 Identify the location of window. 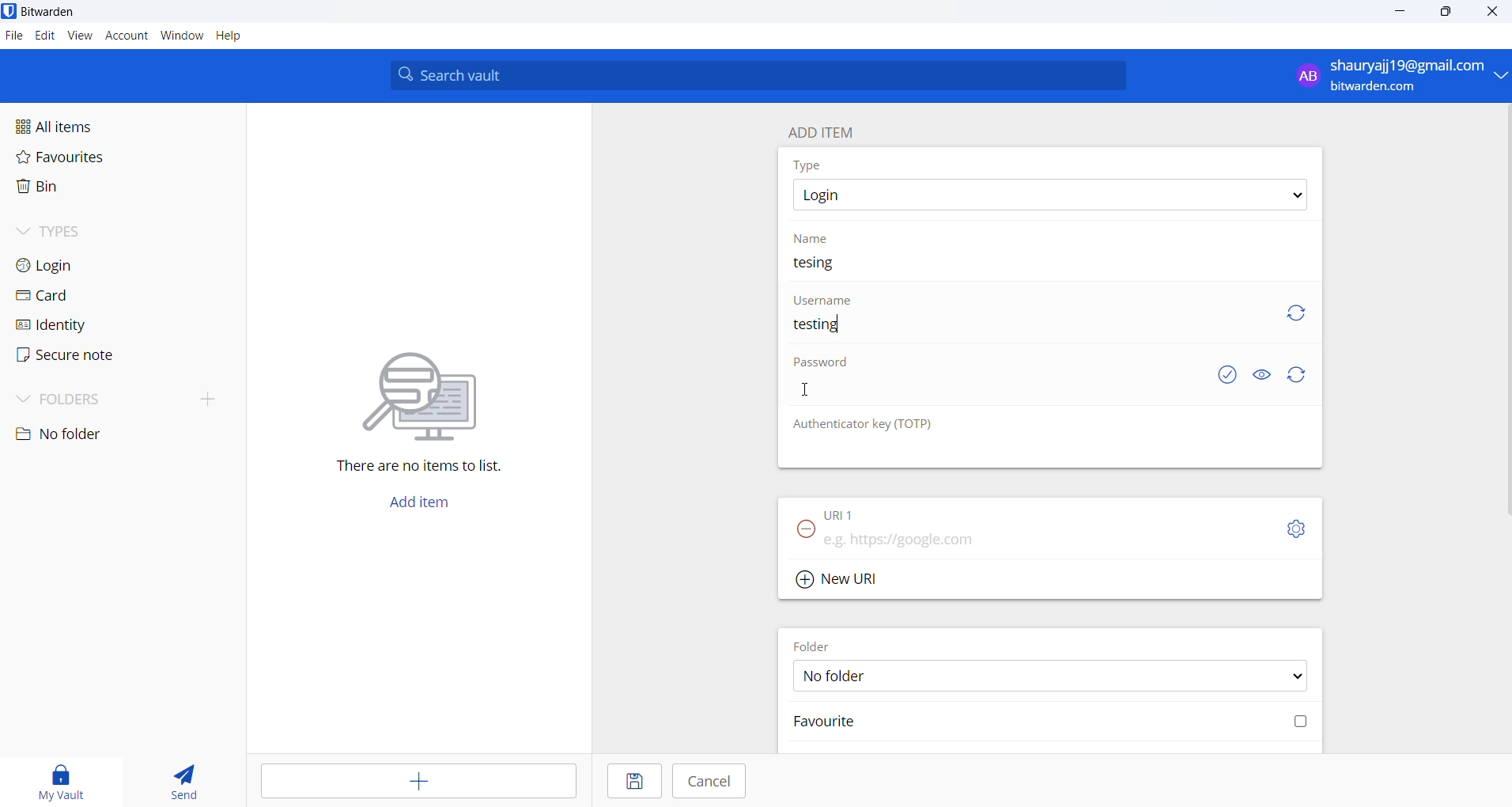
(181, 37).